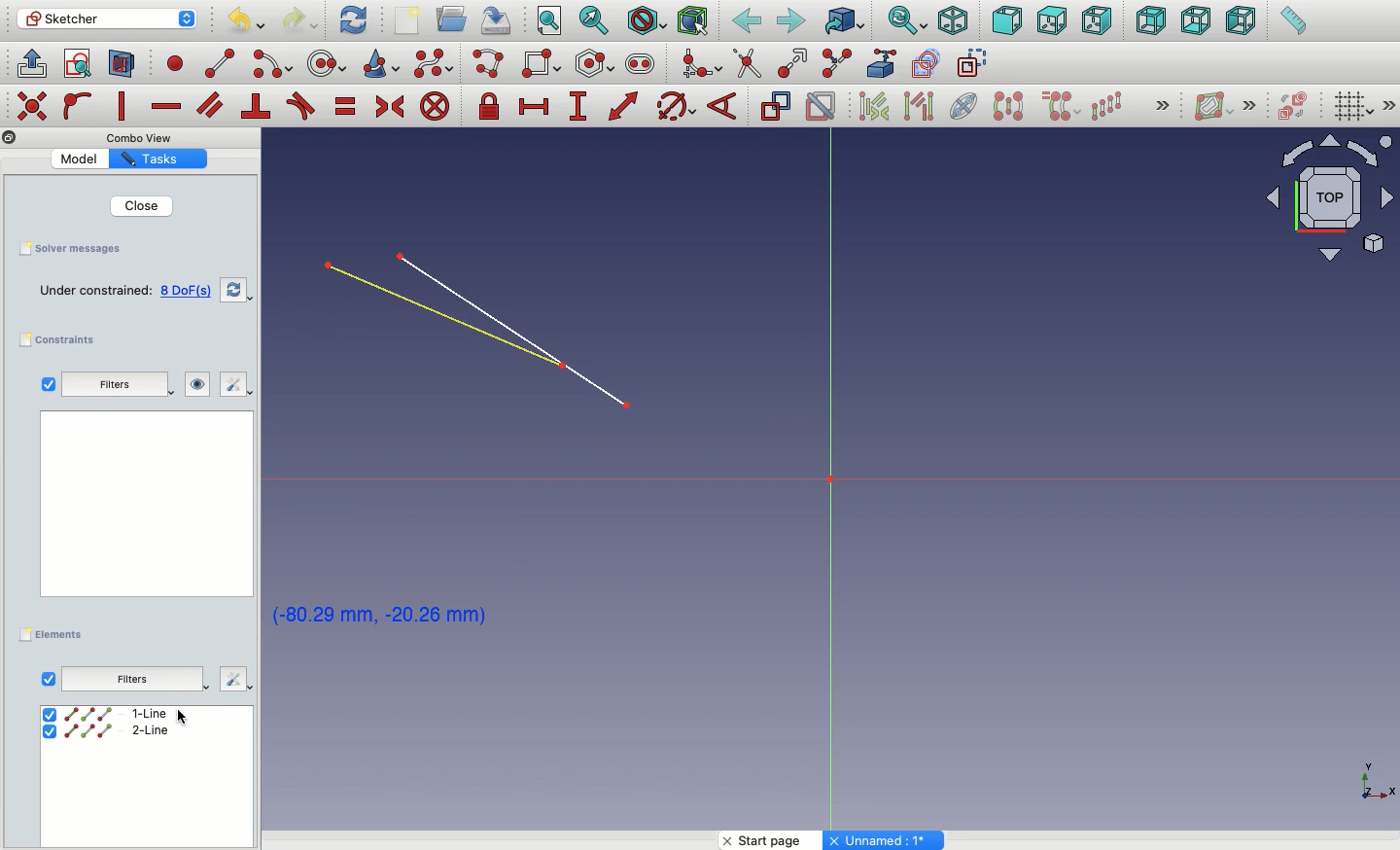  What do you see at coordinates (62, 339) in the screenshot?
I see `Constraints ` at bounding box center [62, 339].